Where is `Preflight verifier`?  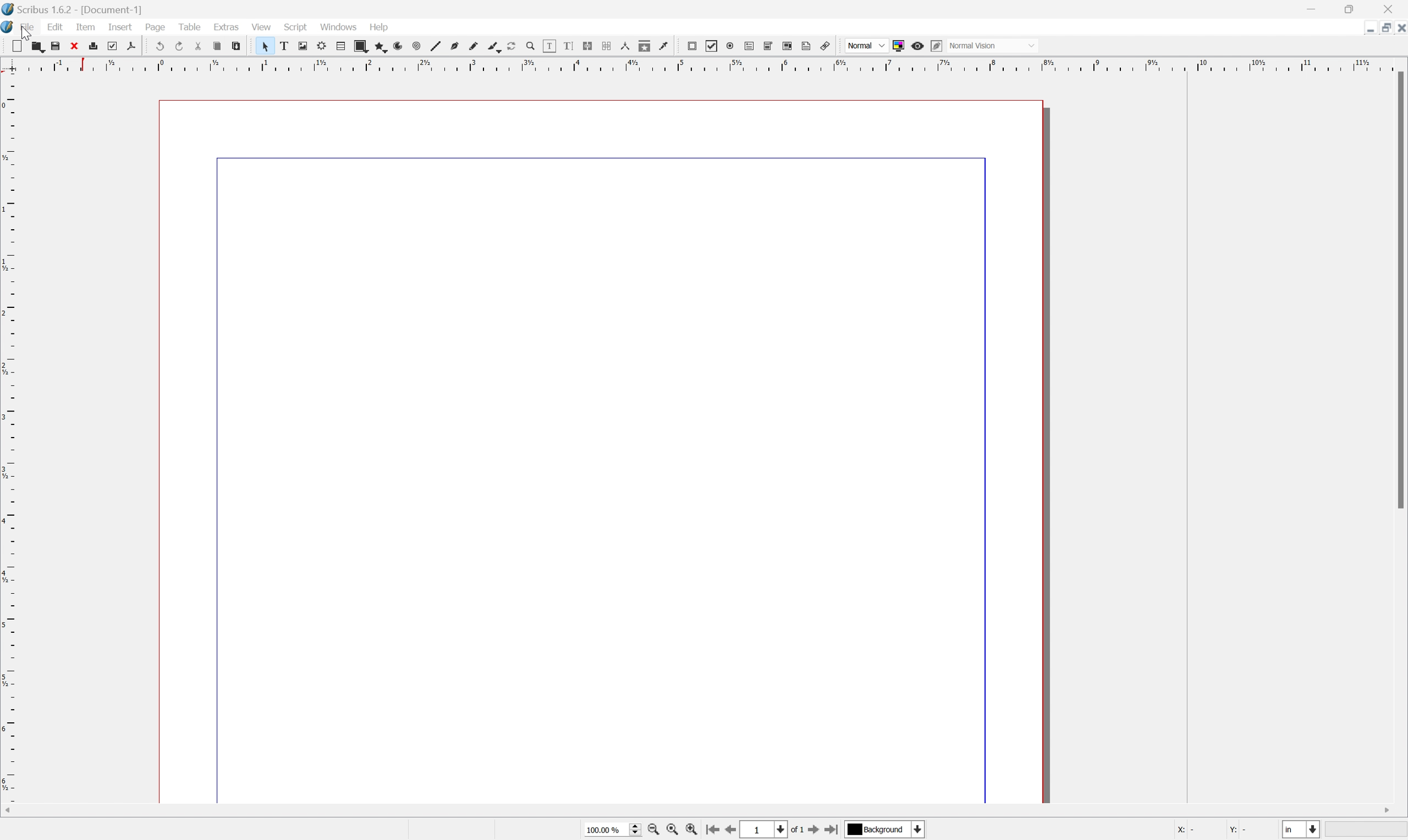 Preflight verifier is located at coordinates (117, 46).